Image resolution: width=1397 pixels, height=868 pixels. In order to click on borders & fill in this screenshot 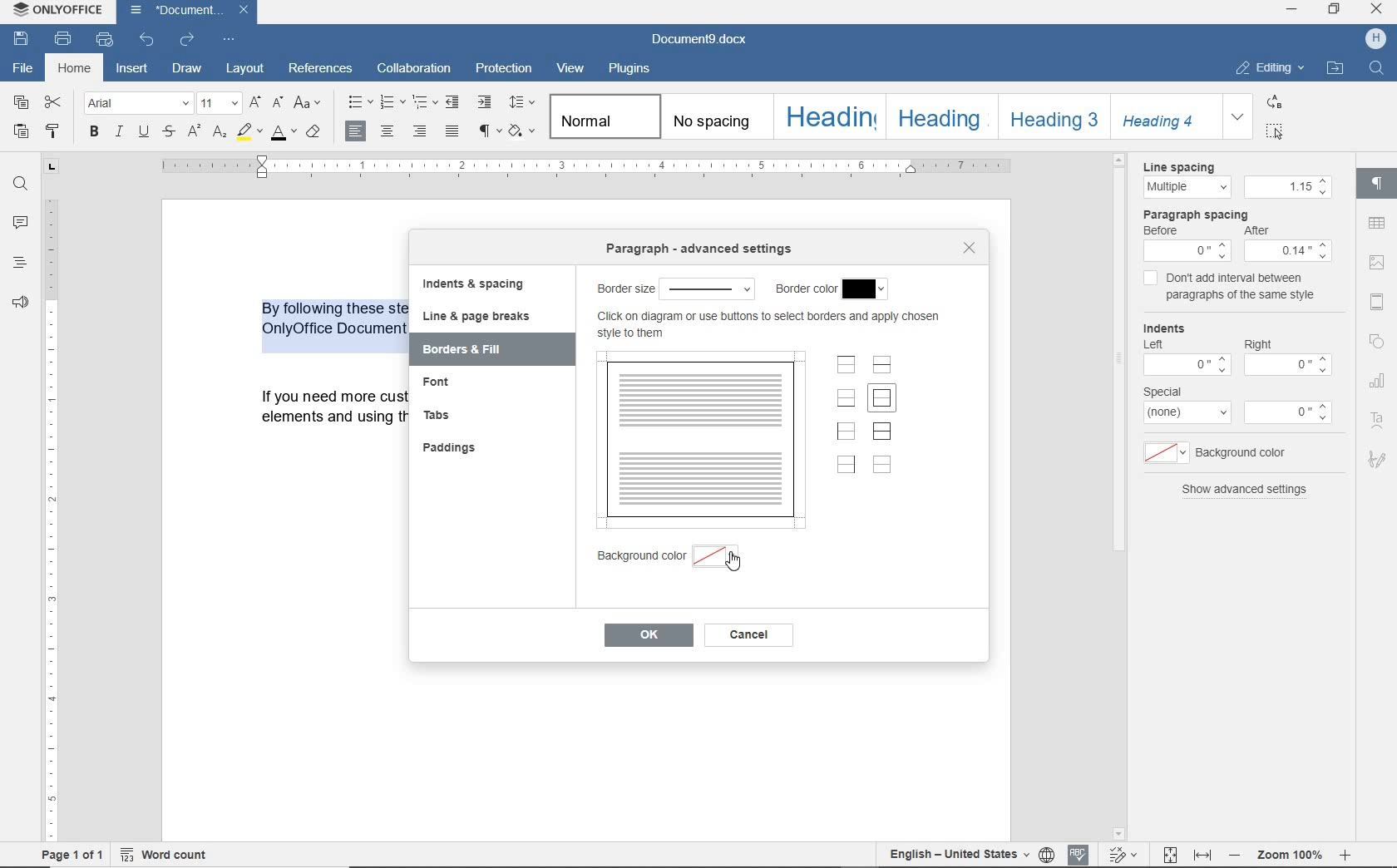, I will do `click(474, 350)`.